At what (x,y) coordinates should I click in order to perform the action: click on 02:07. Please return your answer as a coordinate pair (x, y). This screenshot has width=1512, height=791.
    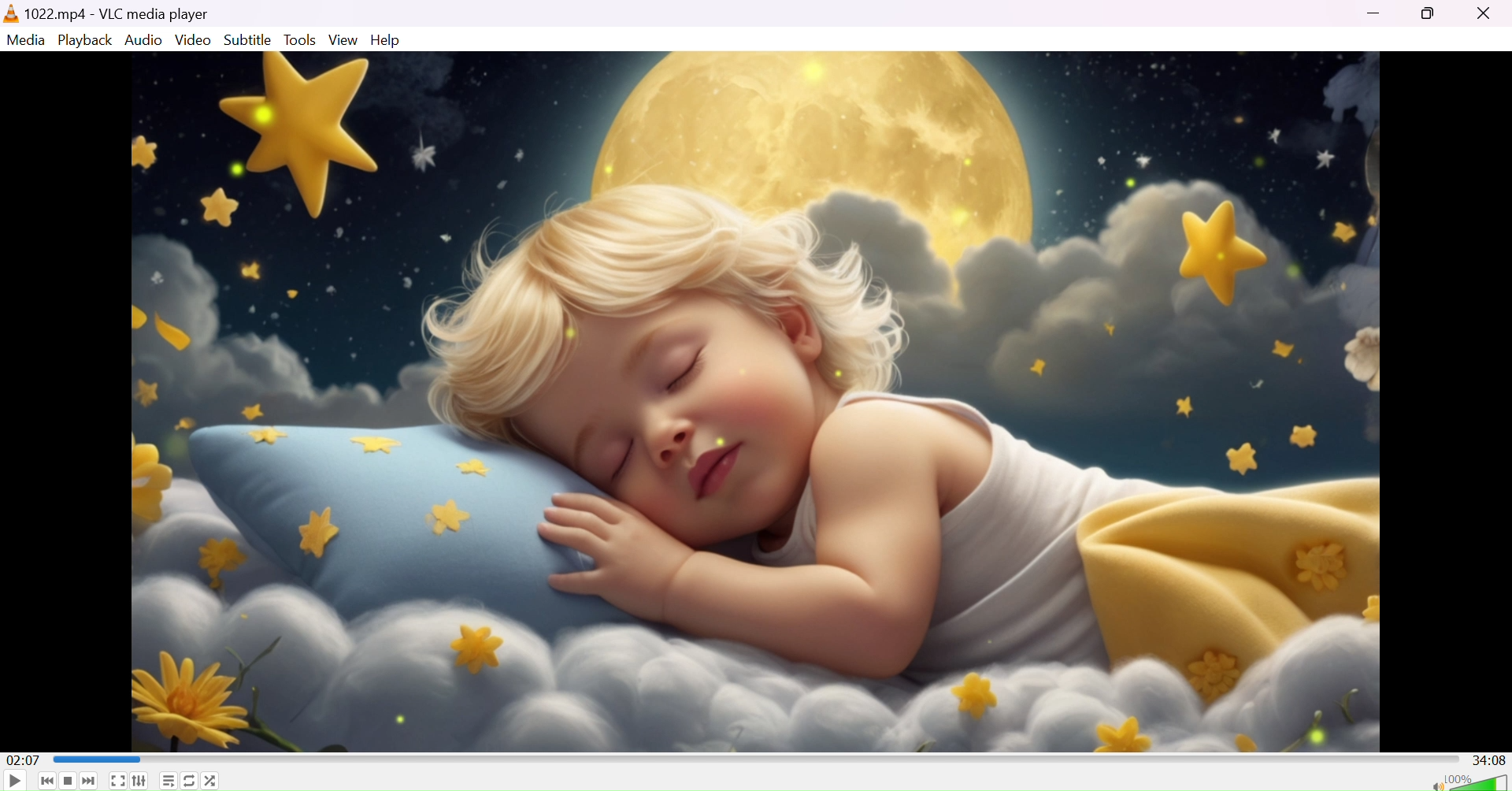
    Looking at the image, I should click on (24, 760).